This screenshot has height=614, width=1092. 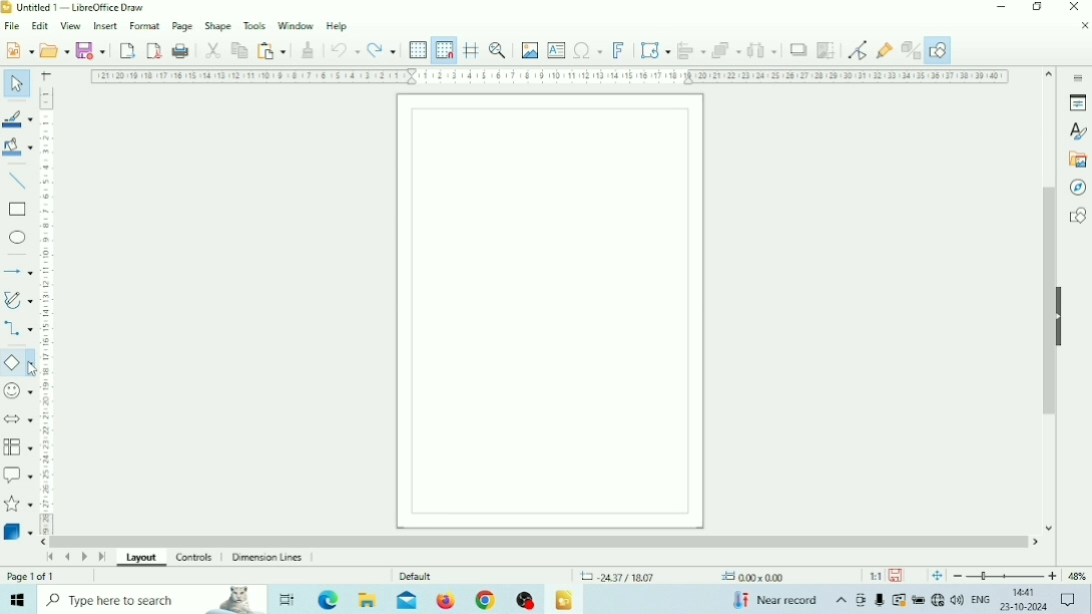 What do you see at coordinates (296, 25) in the screenshot?
I see `Window` at bounding box center [296, 25].